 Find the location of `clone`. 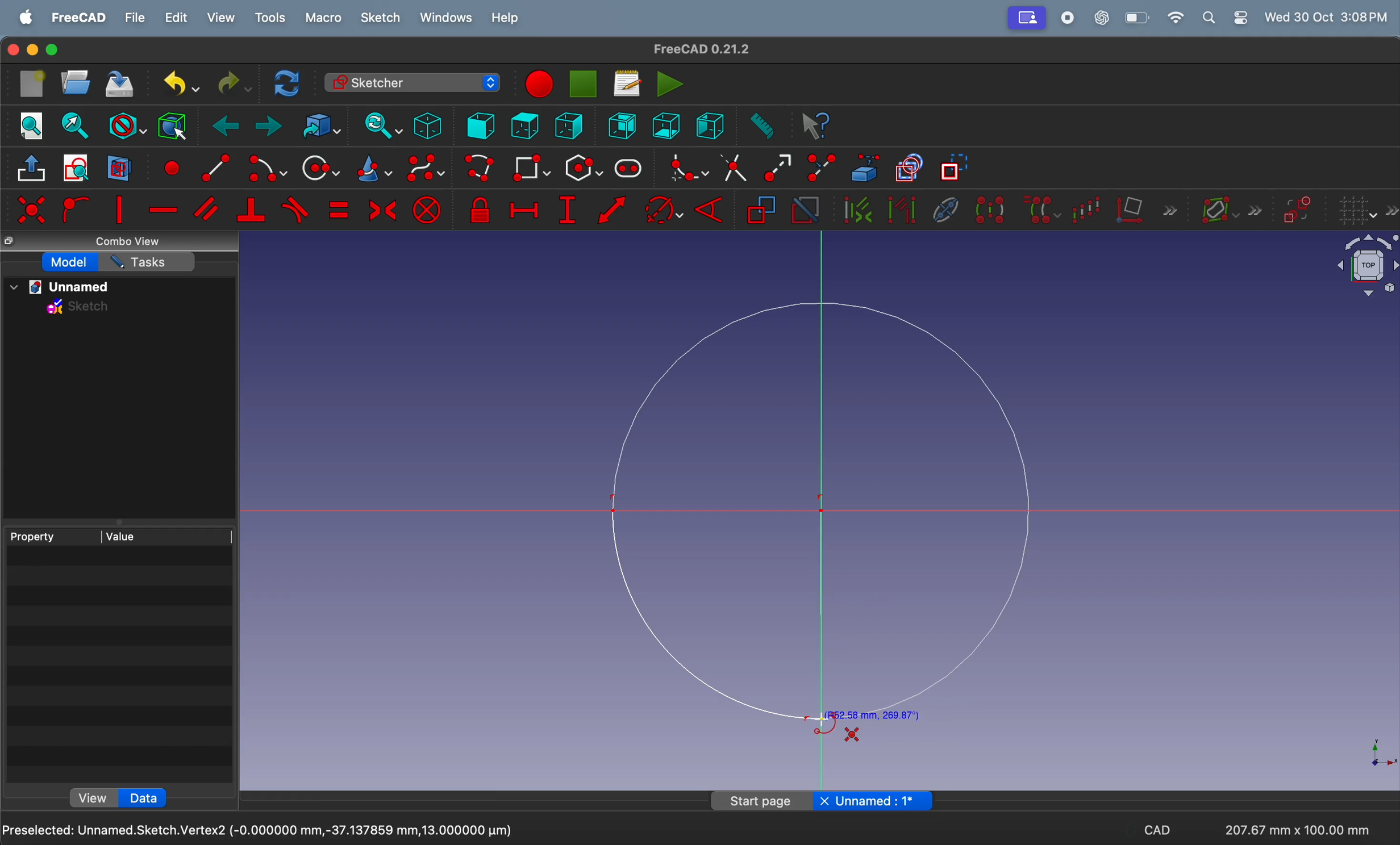

clone is located at coordinates (1041, 209).